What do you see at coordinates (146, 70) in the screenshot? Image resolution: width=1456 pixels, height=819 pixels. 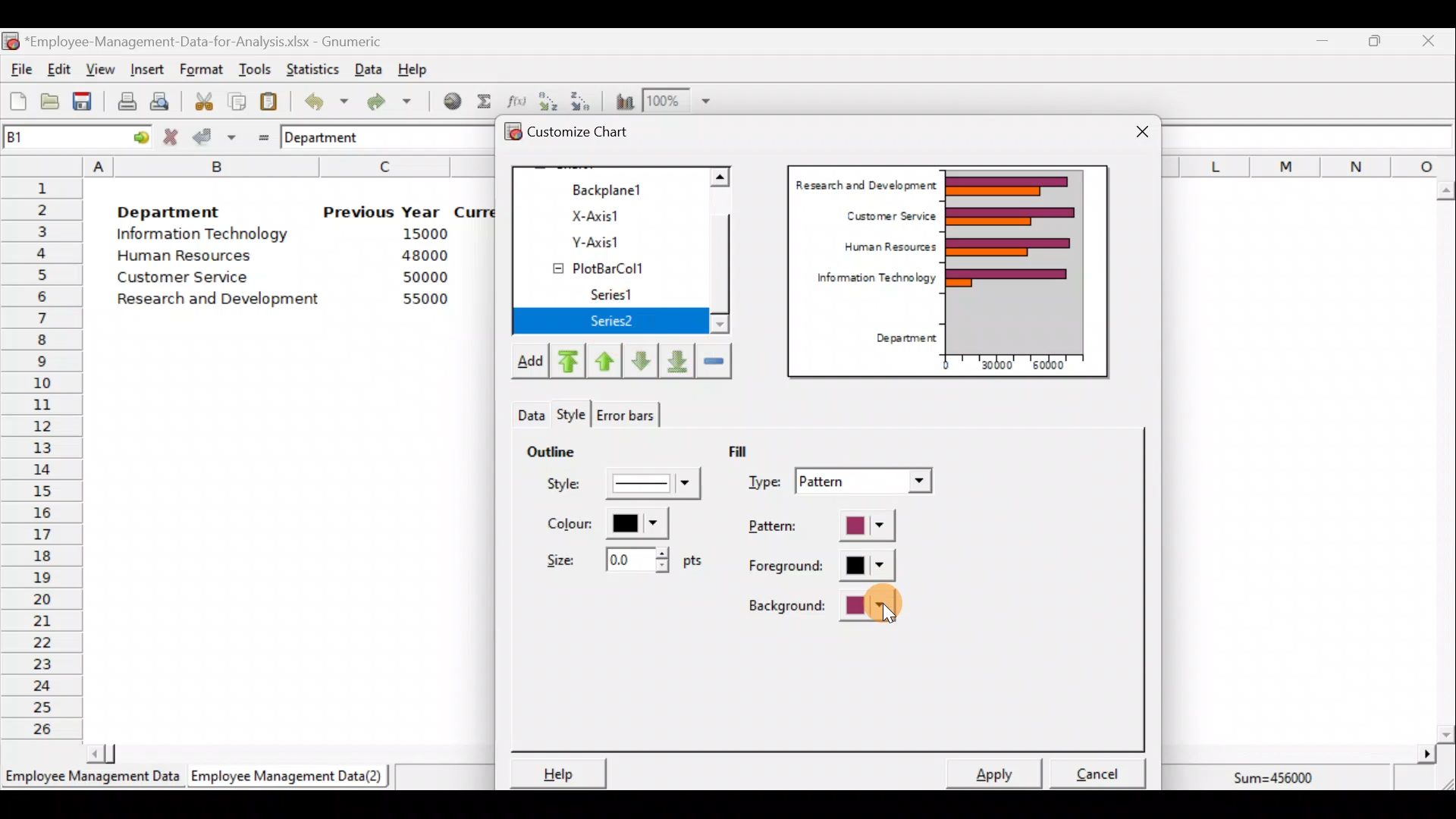 I see `Insert` at bounding box center [146, 70].